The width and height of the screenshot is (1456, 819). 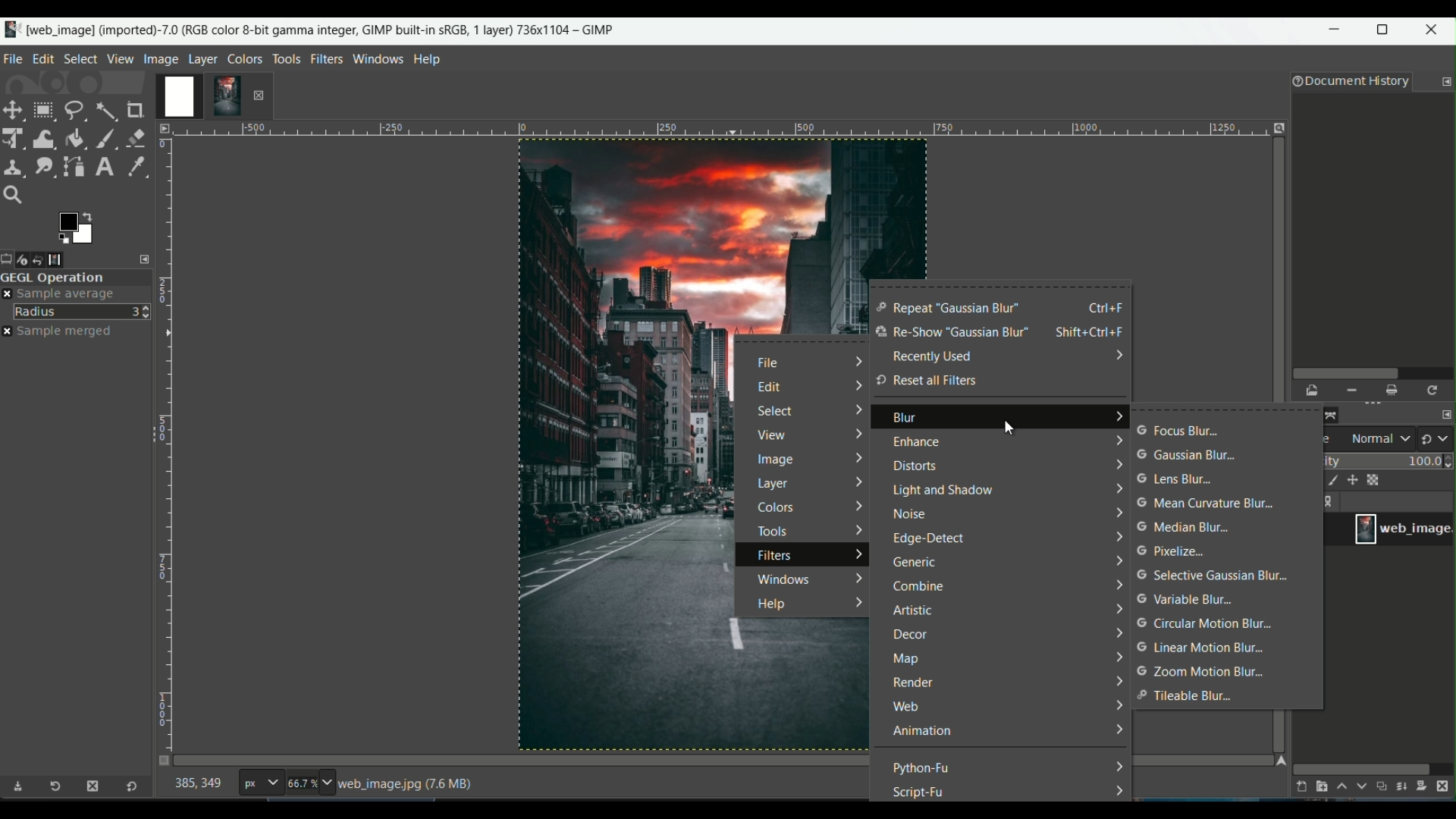 What do you see at coordinates (17, 196) in the screenshot?
I see `zoom tool` at bounding box center [17, 196].